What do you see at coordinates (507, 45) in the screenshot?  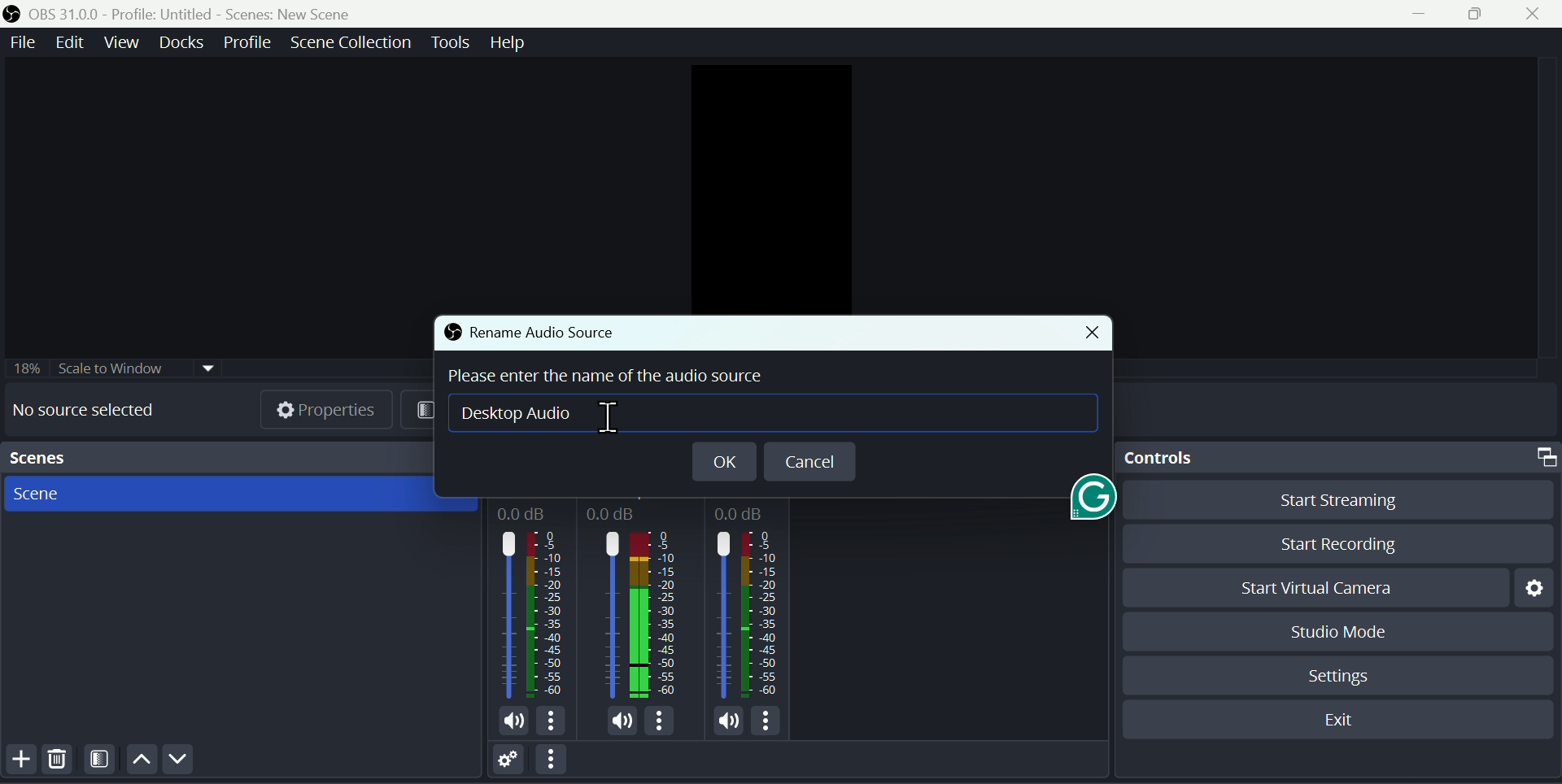 I see `help` at bounding box center [507, 45].